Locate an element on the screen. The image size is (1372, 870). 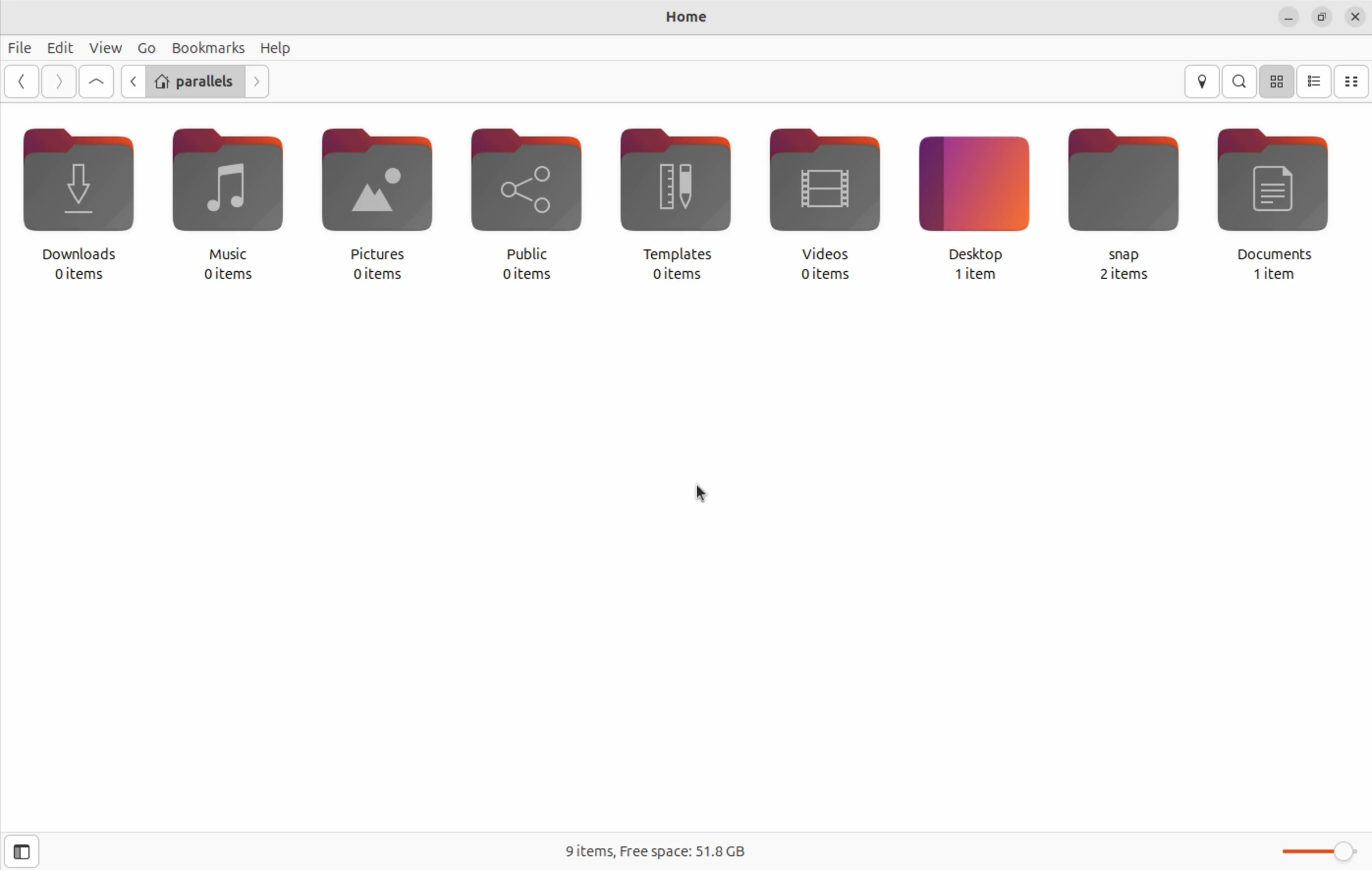
music is located at coordinates (224, 191).